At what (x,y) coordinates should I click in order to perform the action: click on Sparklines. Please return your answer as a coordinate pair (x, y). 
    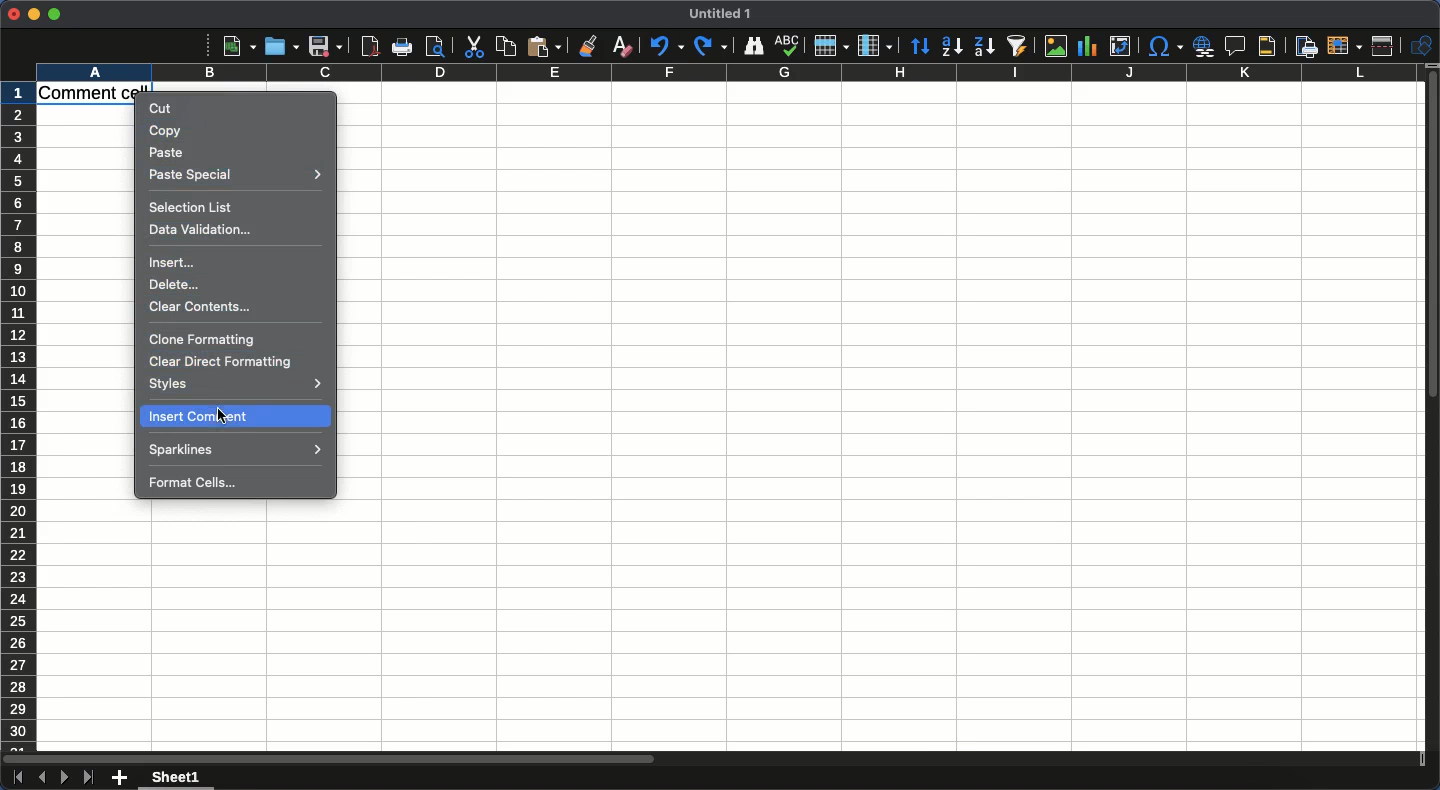
    Looking at the image, I should click on (238, 449).